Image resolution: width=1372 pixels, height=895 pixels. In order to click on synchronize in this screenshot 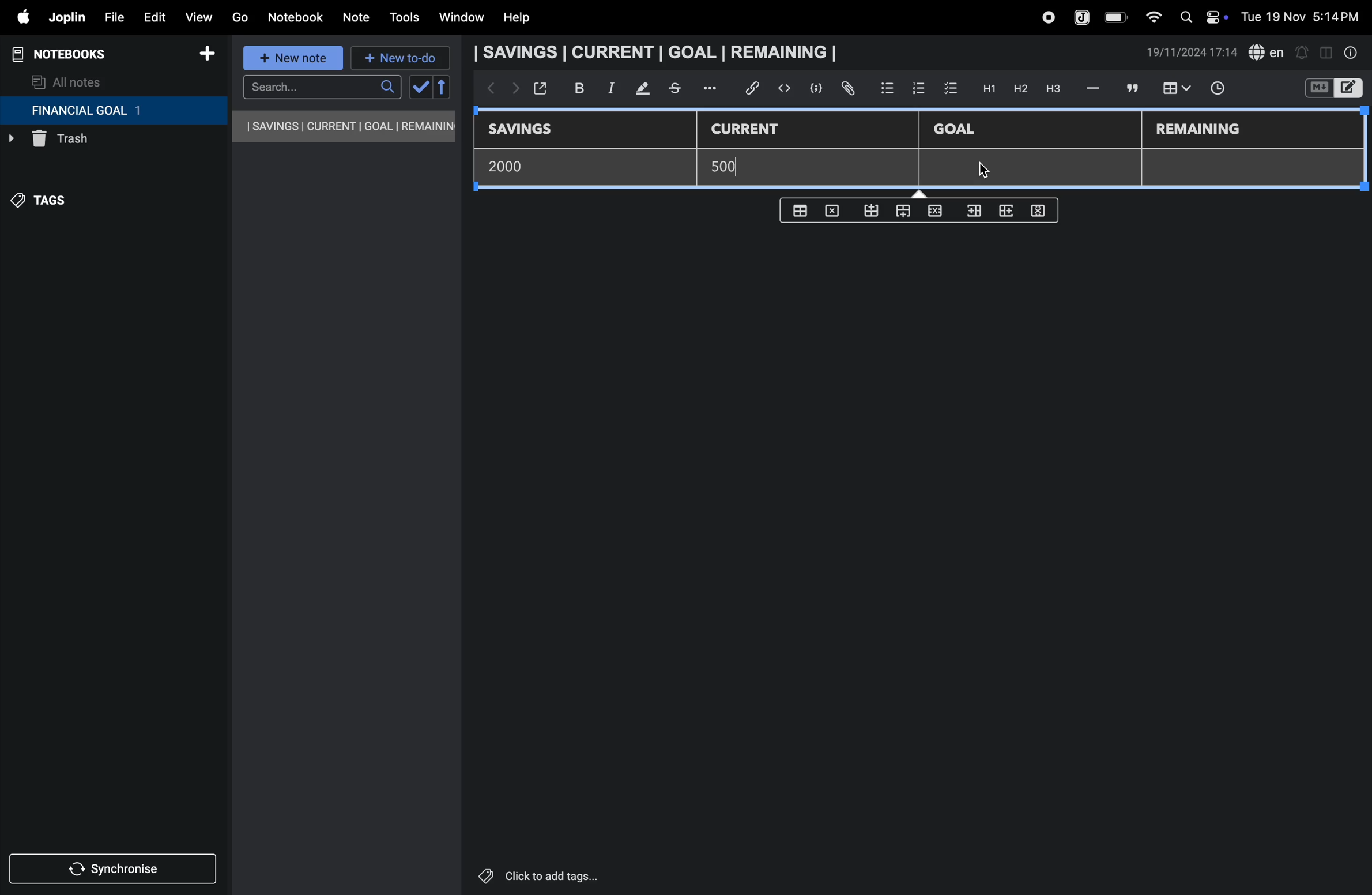, I will do `click(114, 867)`.